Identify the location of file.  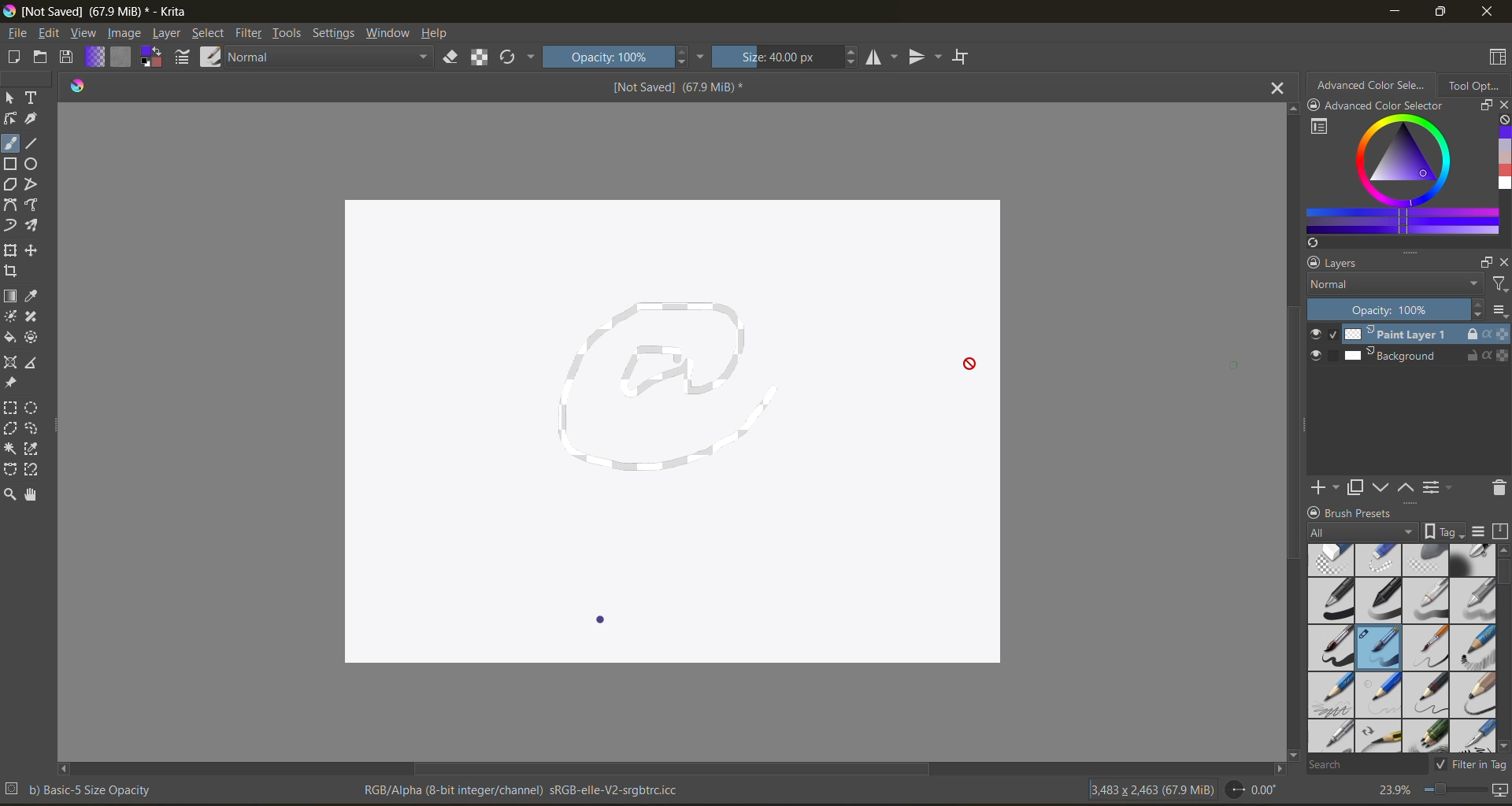
(17, 33).